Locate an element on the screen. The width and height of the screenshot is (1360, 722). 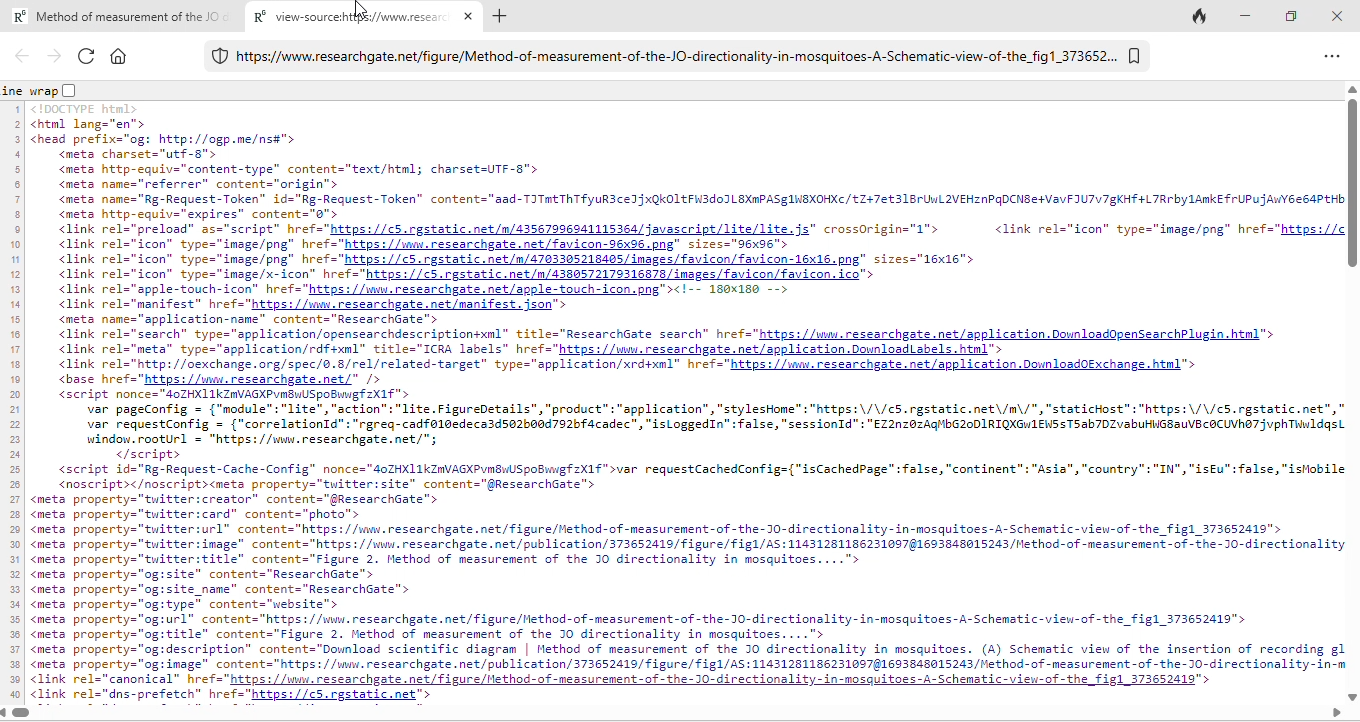
move down is located at coordinates (1352, 696).